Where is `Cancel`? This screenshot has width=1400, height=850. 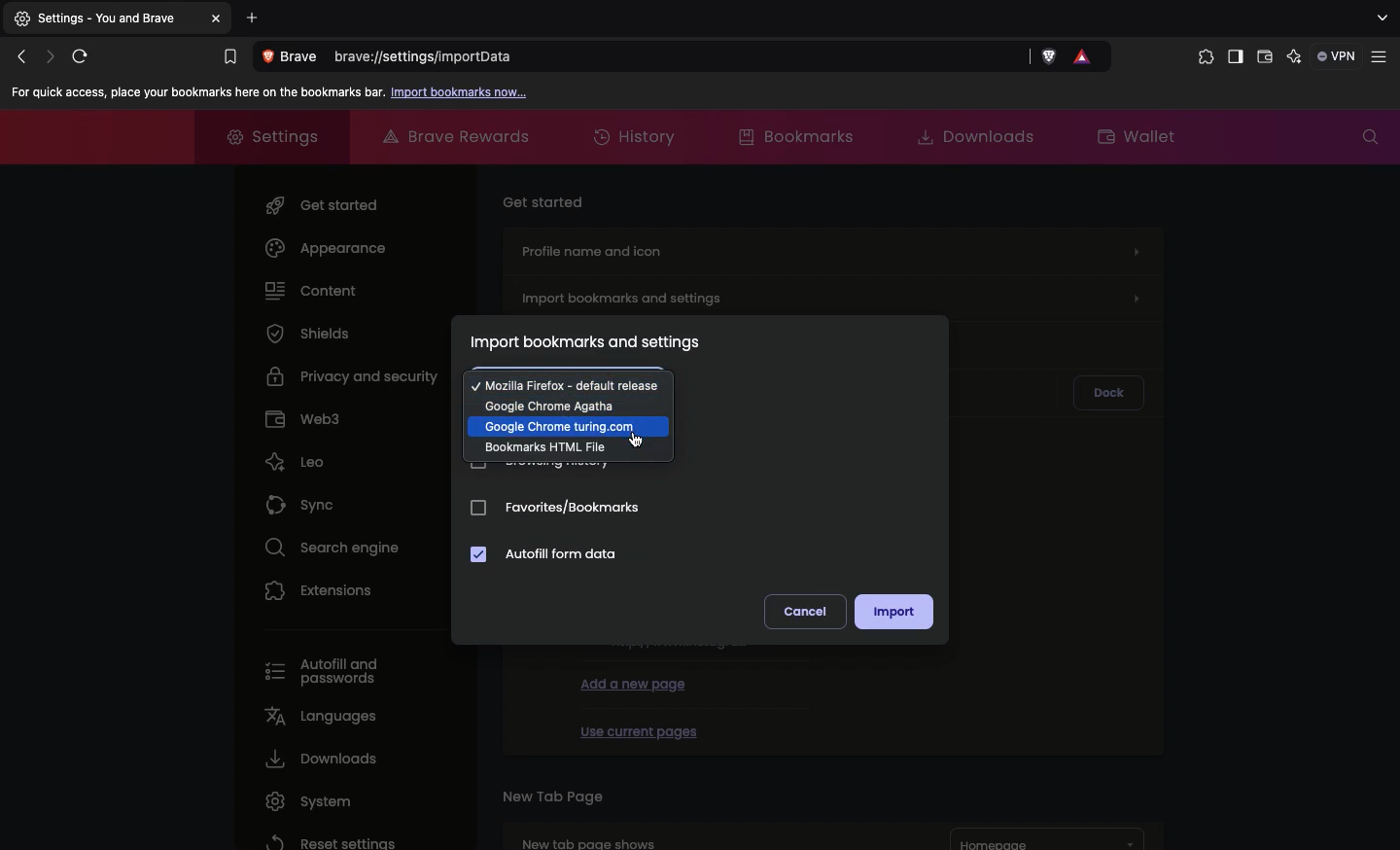 Cancel is located at coordinates (802, 612).